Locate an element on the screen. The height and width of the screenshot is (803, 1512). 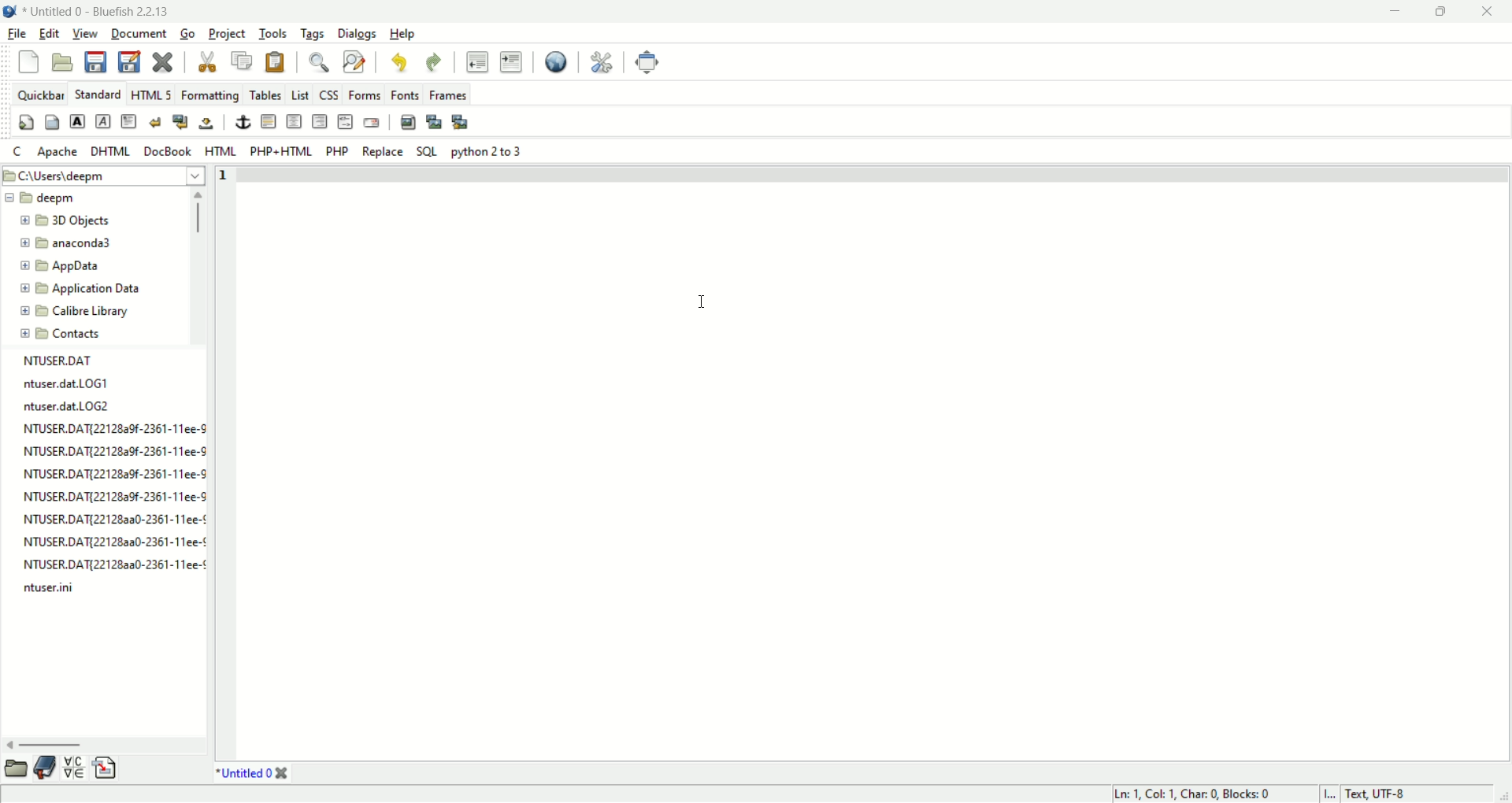
docbook is located at coordinates (170, 150).